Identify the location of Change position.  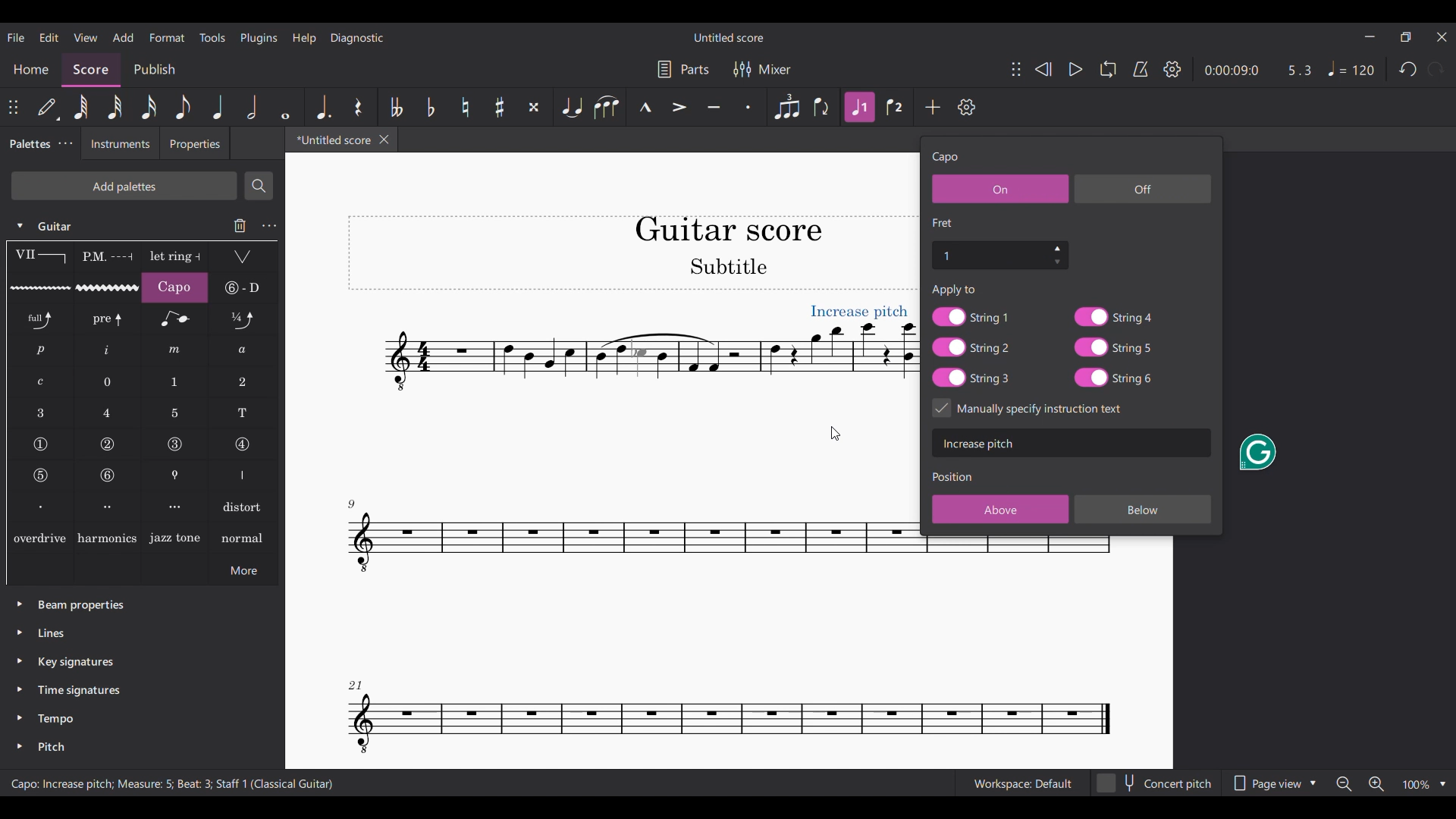
(13, 107).